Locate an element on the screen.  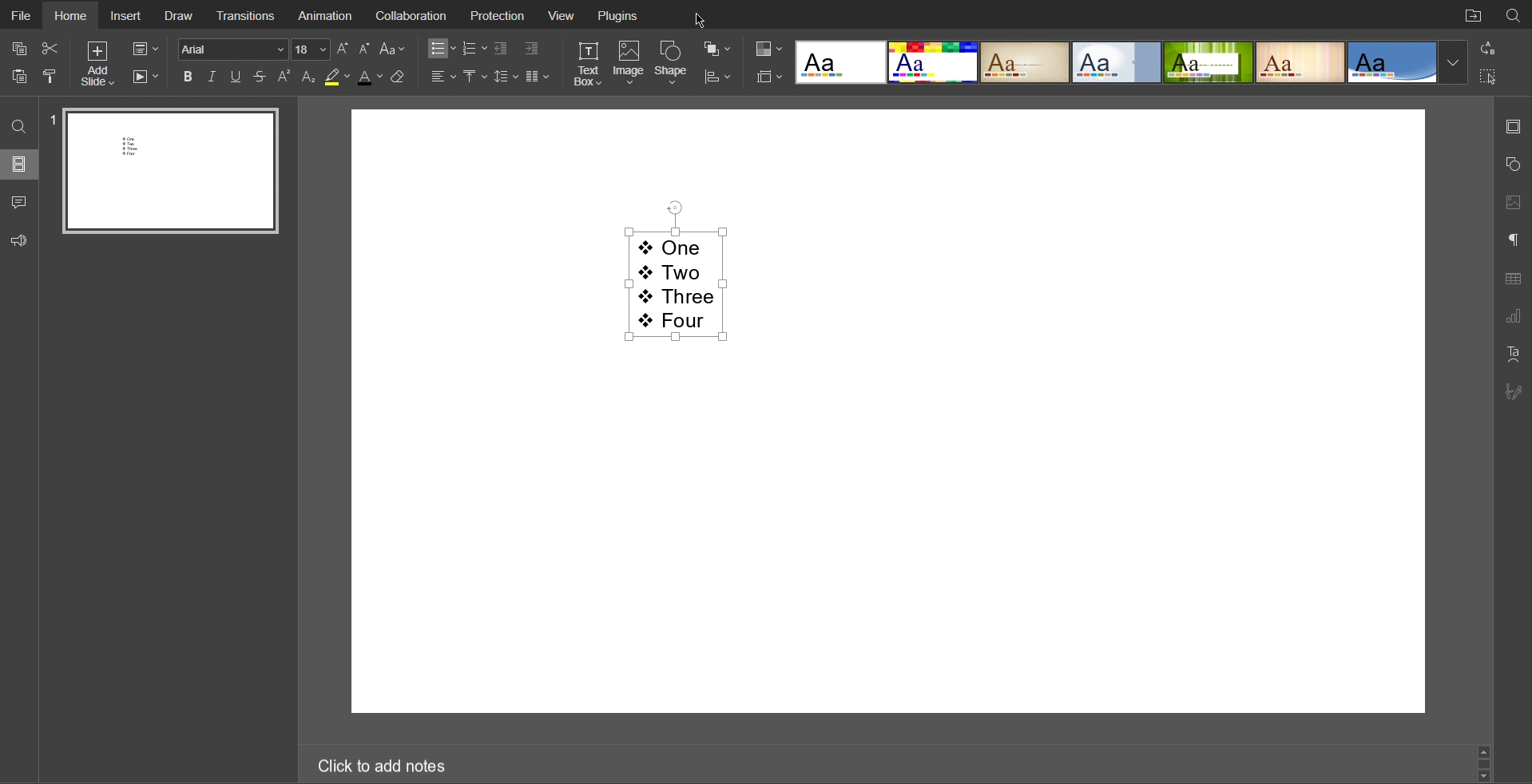
Line Spacing is located at coordinates (506, 76).